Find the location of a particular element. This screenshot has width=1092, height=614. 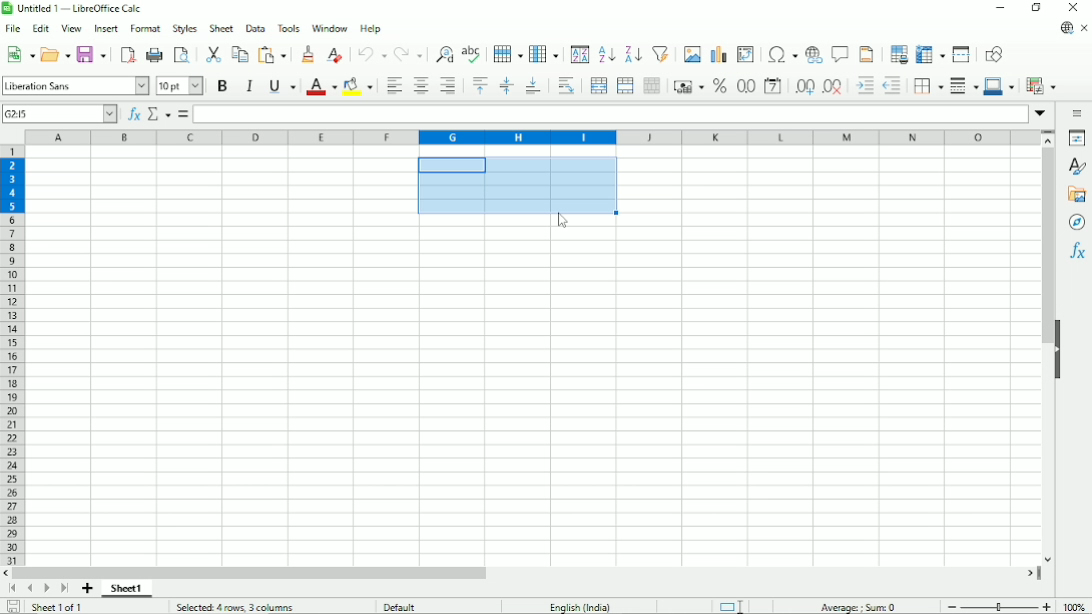

Define print area is located at coordinates (898, 53).